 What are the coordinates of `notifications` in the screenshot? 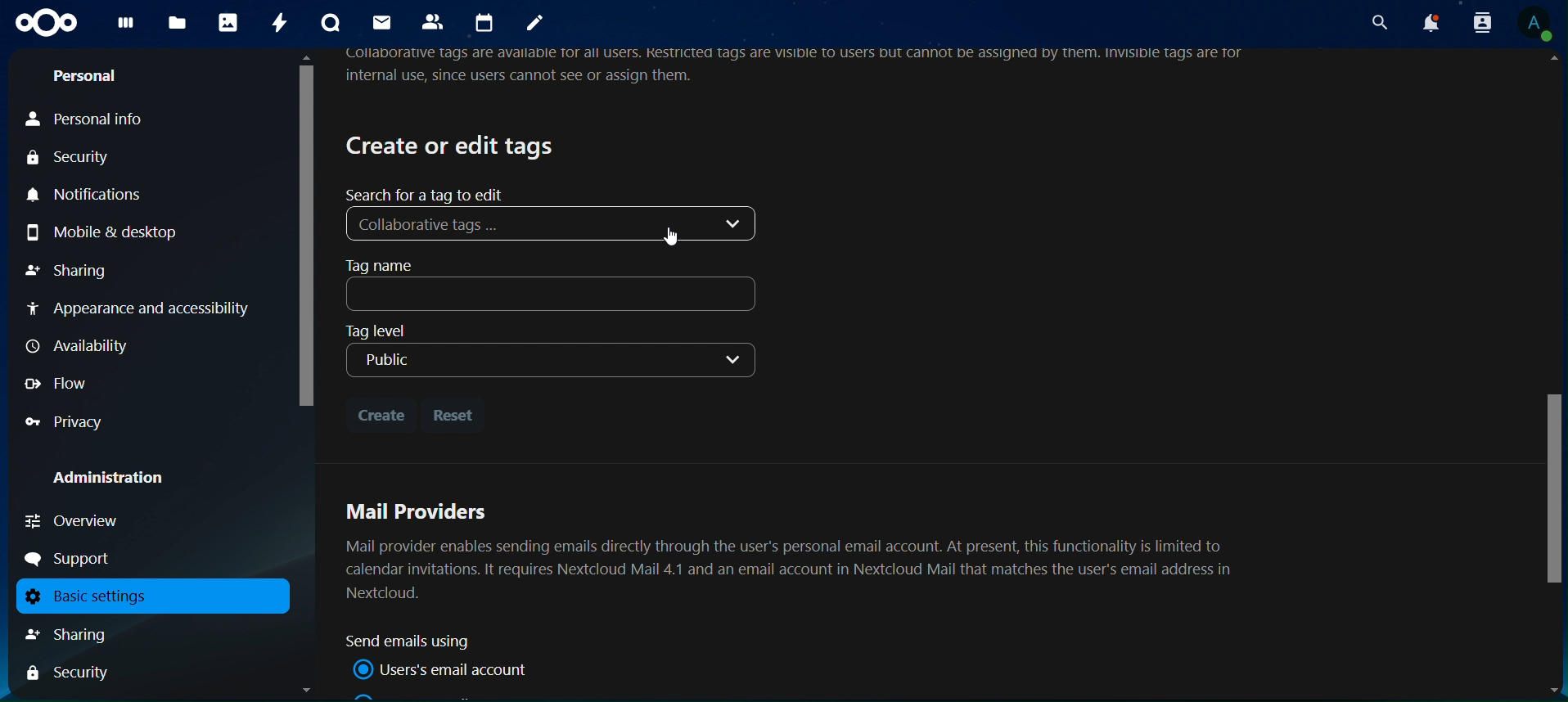 It's located at (1428, 23).